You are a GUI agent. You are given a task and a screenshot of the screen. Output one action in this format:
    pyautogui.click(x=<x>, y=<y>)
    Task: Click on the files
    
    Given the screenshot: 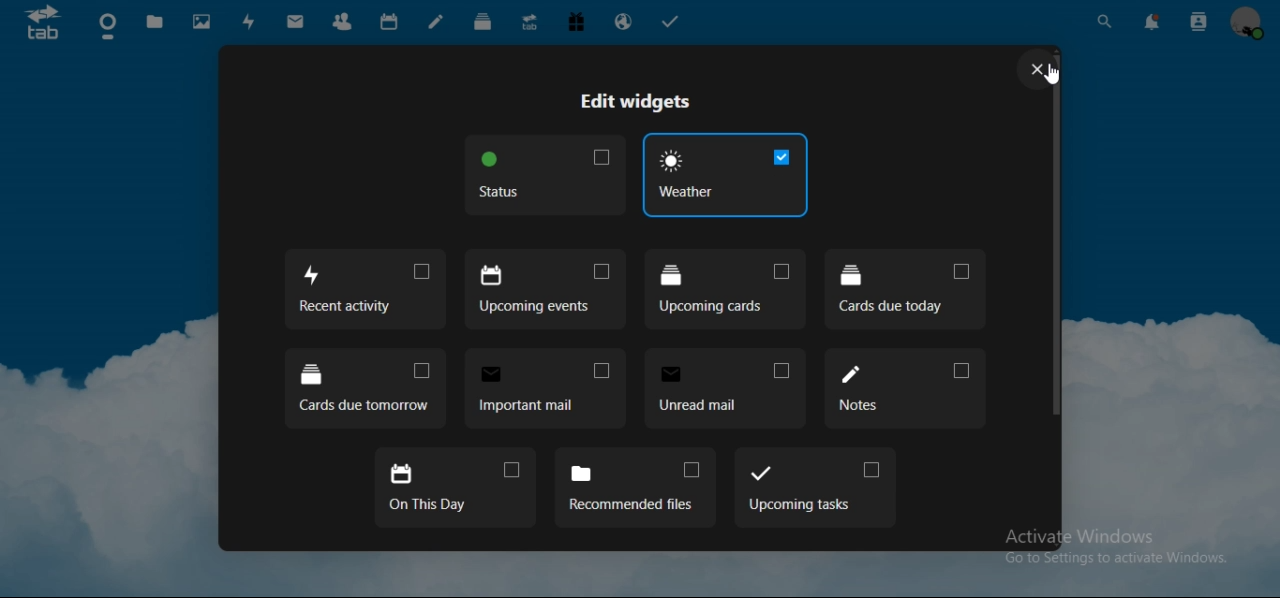 What is the action you would take?
    pyautogui.click(x=154, y=22)
    